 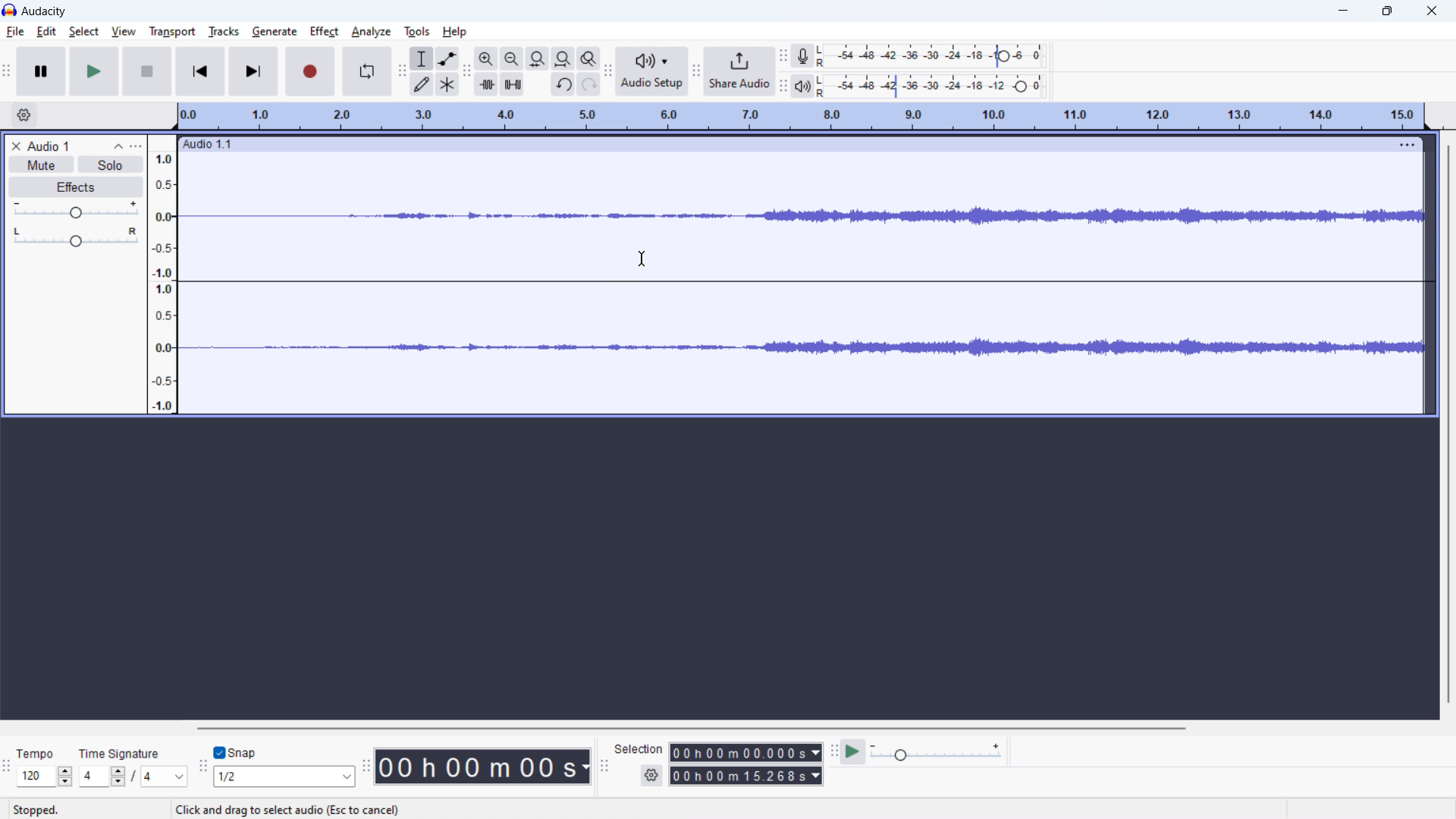 What do you see at coordinates (285, 776) in the screenshot?
I see `1/2 (select snapping)` at bounding box center [285, 776].